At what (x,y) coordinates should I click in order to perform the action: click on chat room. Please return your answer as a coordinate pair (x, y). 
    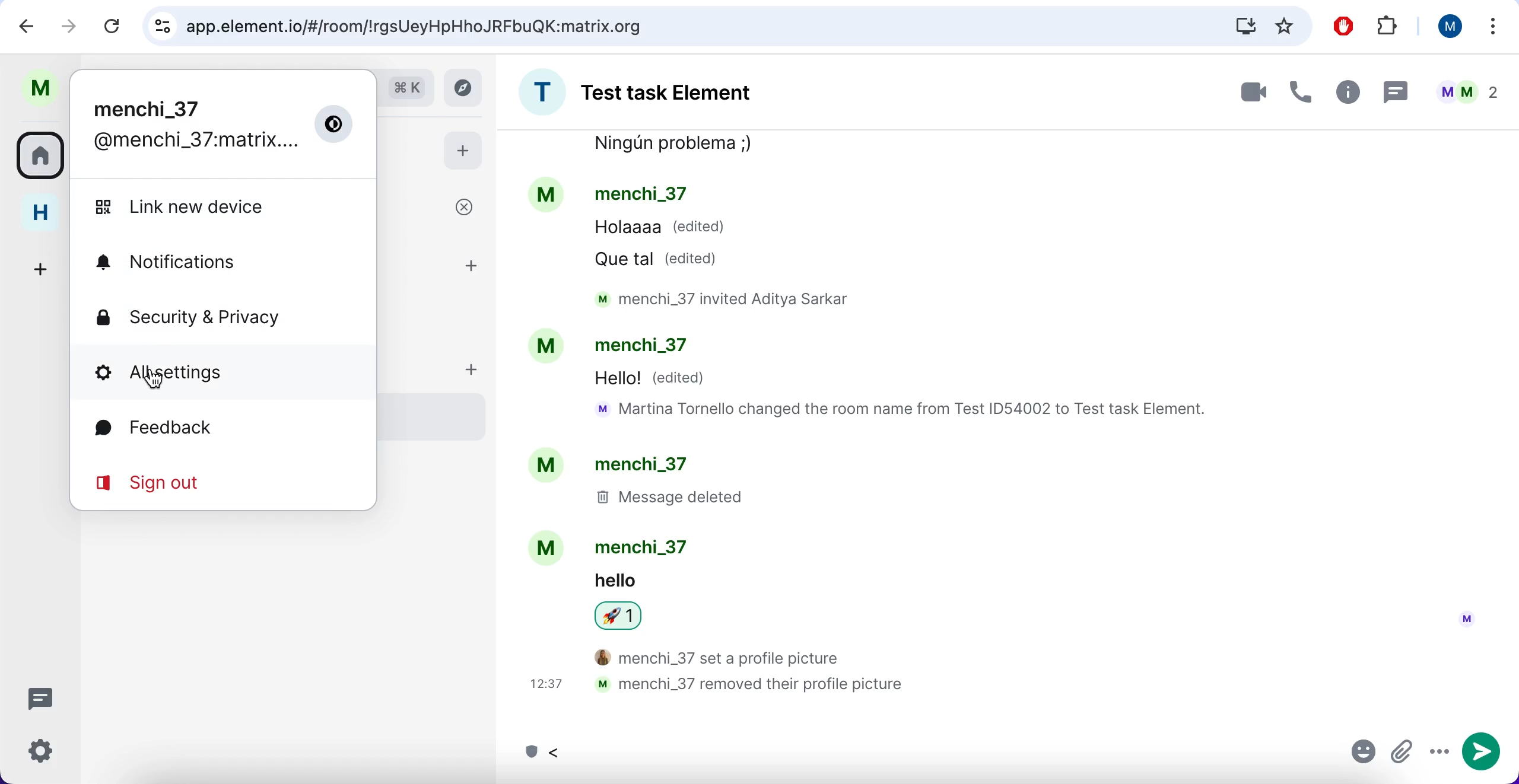
    Looking at the image, I should click on (1000, 425).